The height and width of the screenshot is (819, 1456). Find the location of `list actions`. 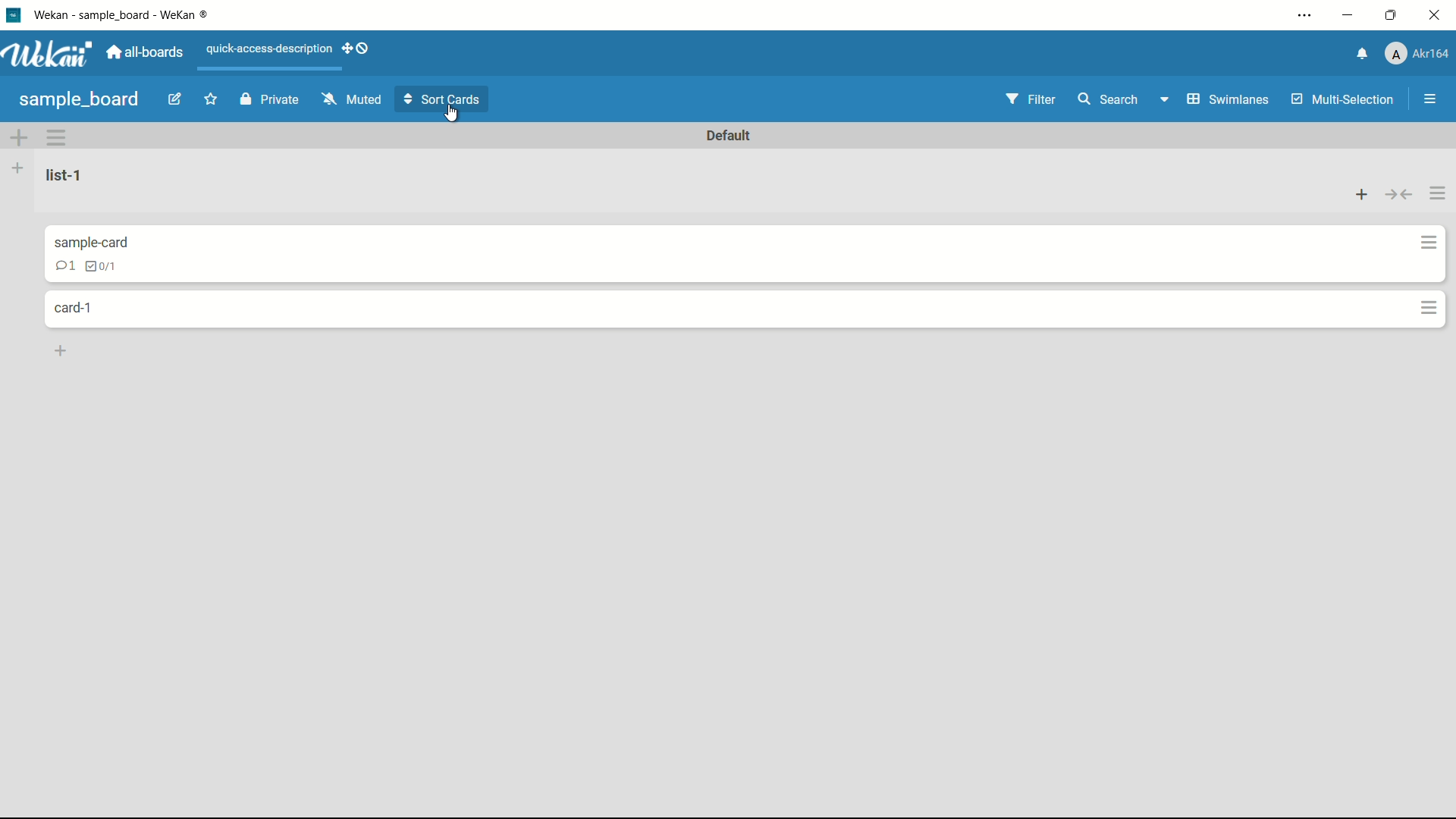

list actions is located at coordinates (1436, 192).